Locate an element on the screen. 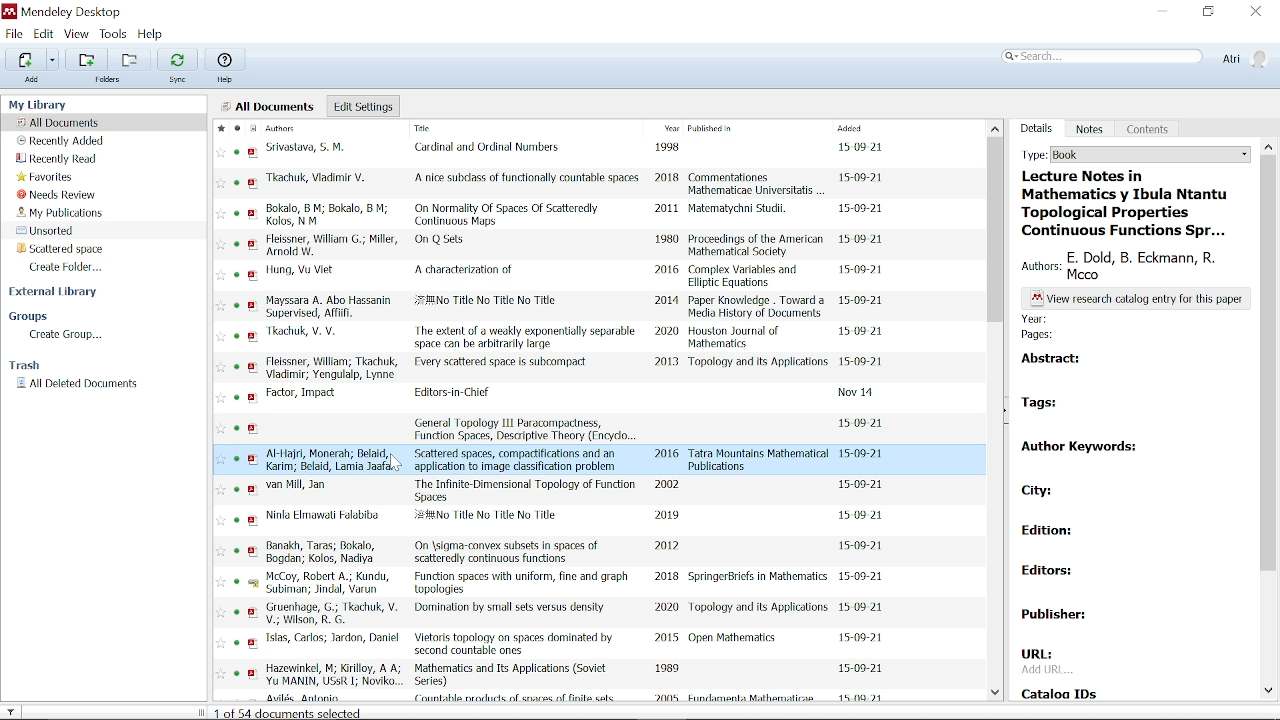 Image resolution: width=1280 pixels, height=720 pixels. Title is located at coordinates (464, 130).